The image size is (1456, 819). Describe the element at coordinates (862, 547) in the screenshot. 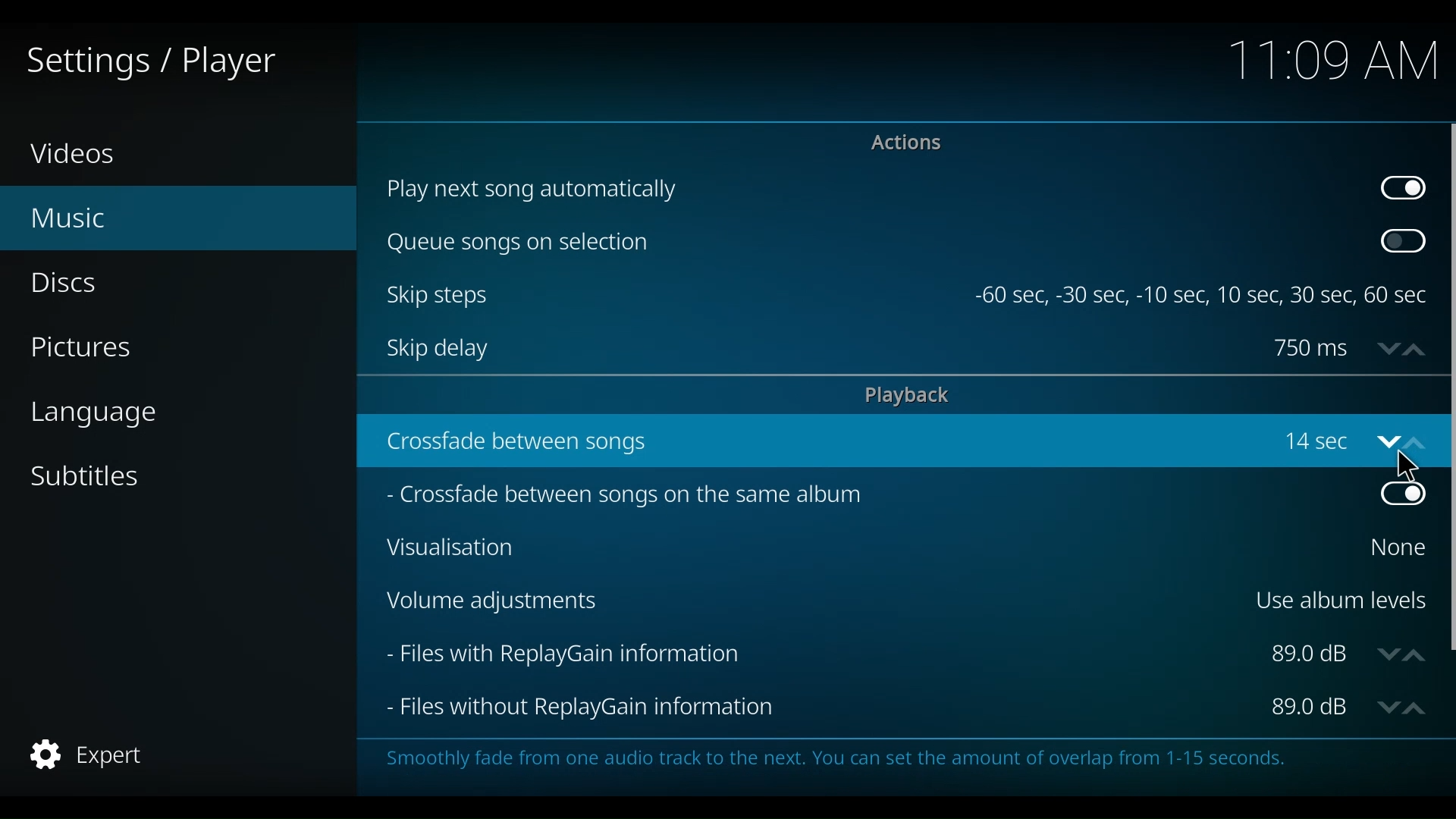

I see `Visualisation` at that location.